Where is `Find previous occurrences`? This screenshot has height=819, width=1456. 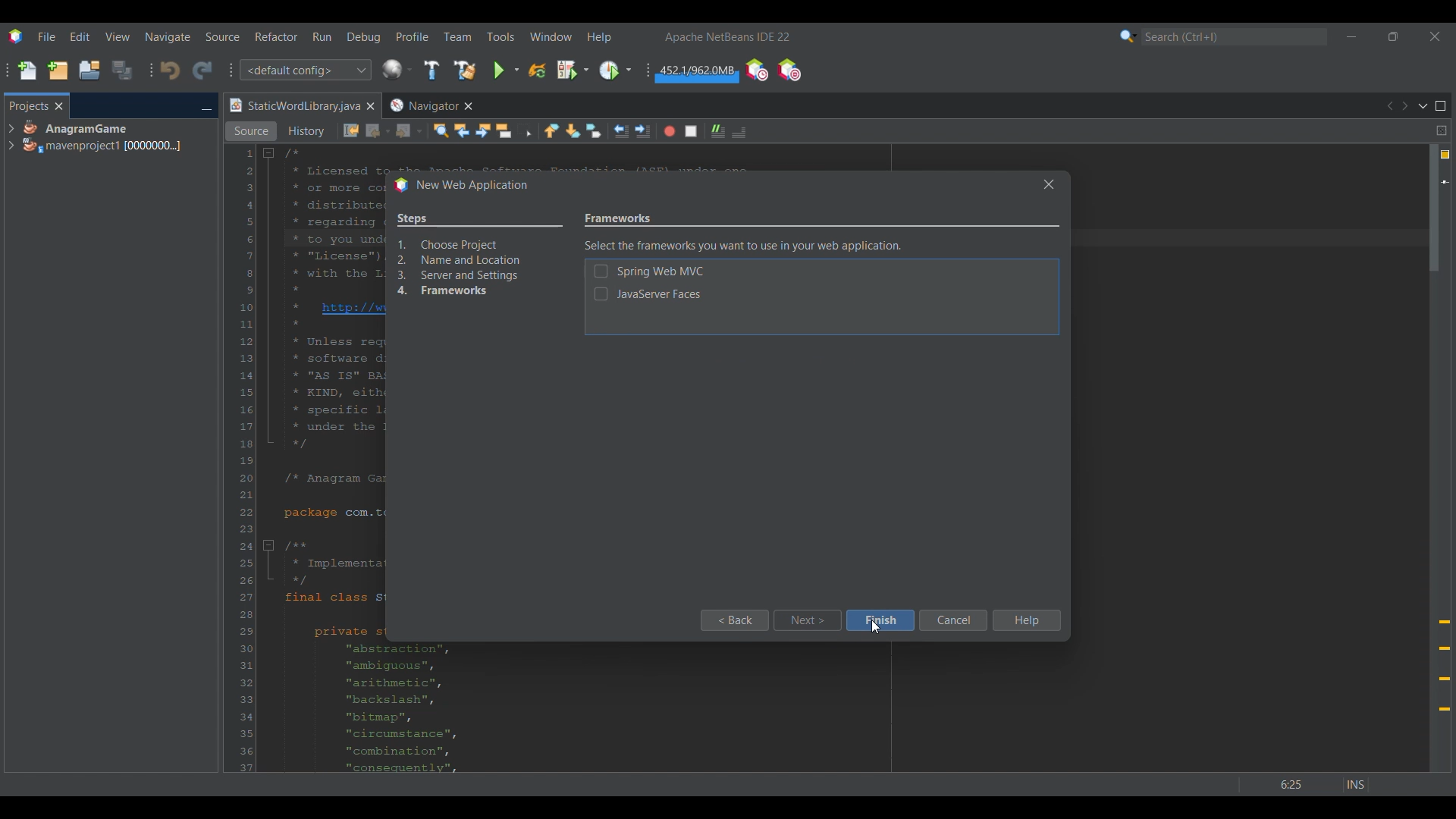
Find previous occurrences is located at coordinates (462, 130).